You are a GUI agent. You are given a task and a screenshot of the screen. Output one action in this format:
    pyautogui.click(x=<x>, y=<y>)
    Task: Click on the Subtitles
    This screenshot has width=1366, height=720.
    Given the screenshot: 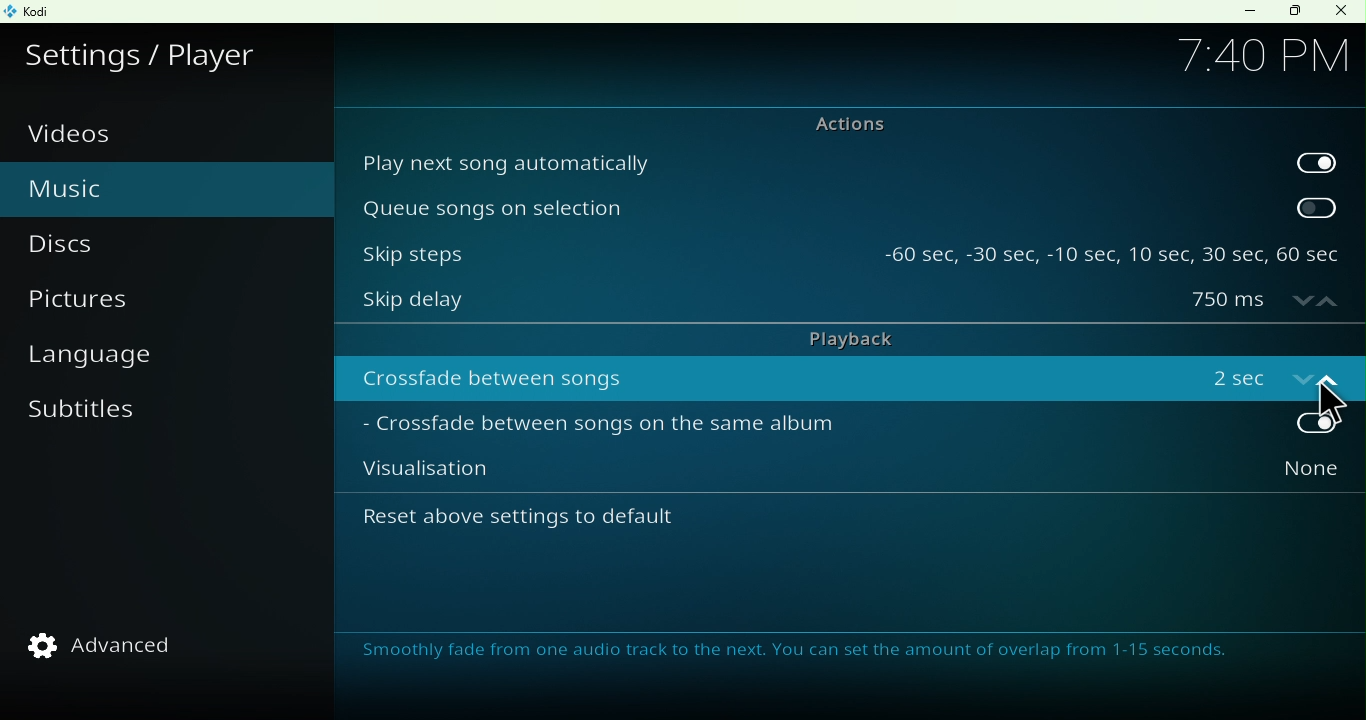 What is the action you would take?
    pyautogui.click(x=89, y=422)
    